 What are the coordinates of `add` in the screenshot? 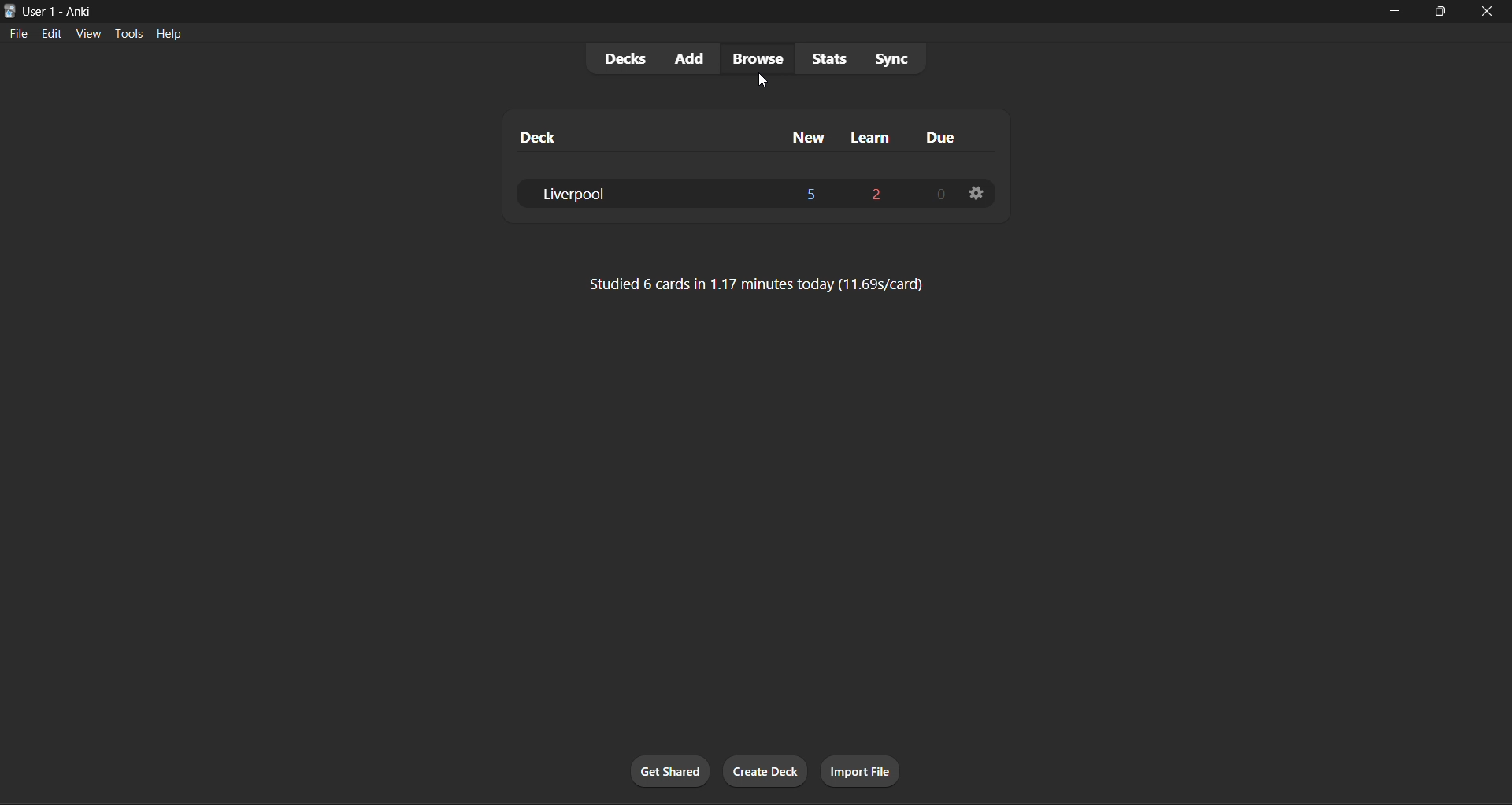 It's located at (689, 57).